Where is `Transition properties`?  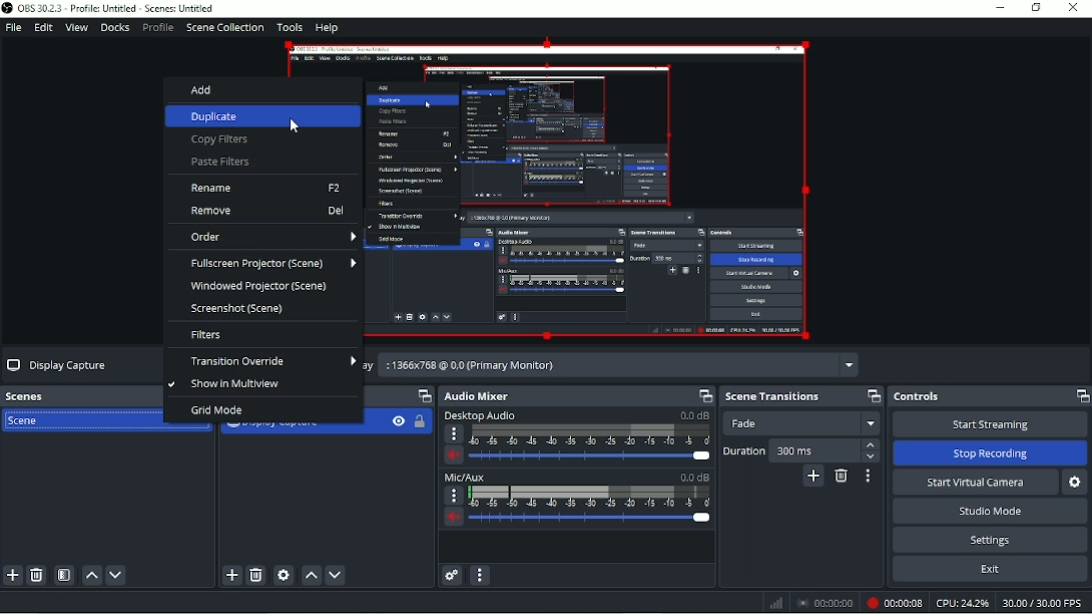
Transition properties is located at coordinates (868, 476).